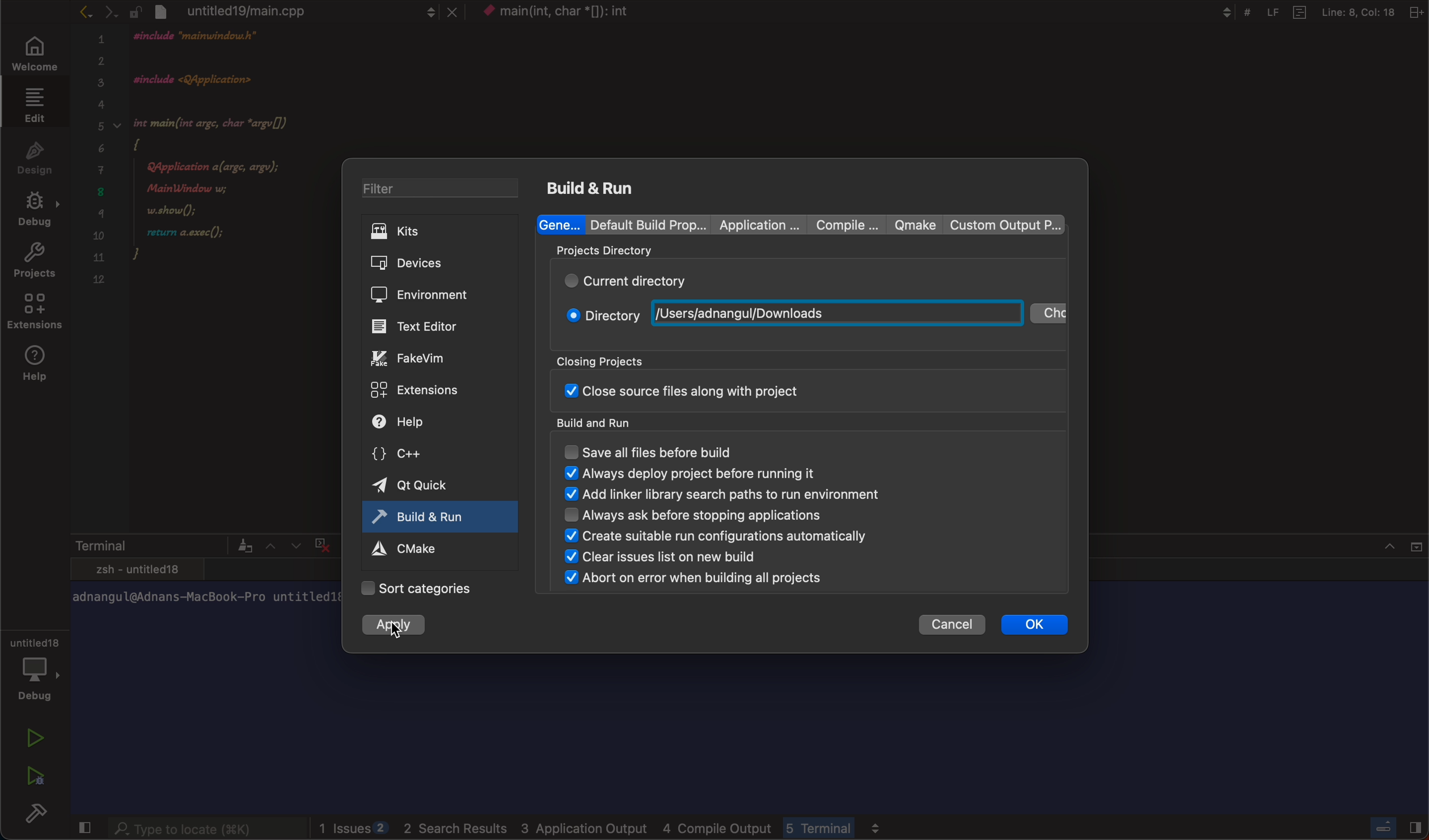  Describe the element at coordinates (1039, 623) in the screenshot. I see `ok` at that location.